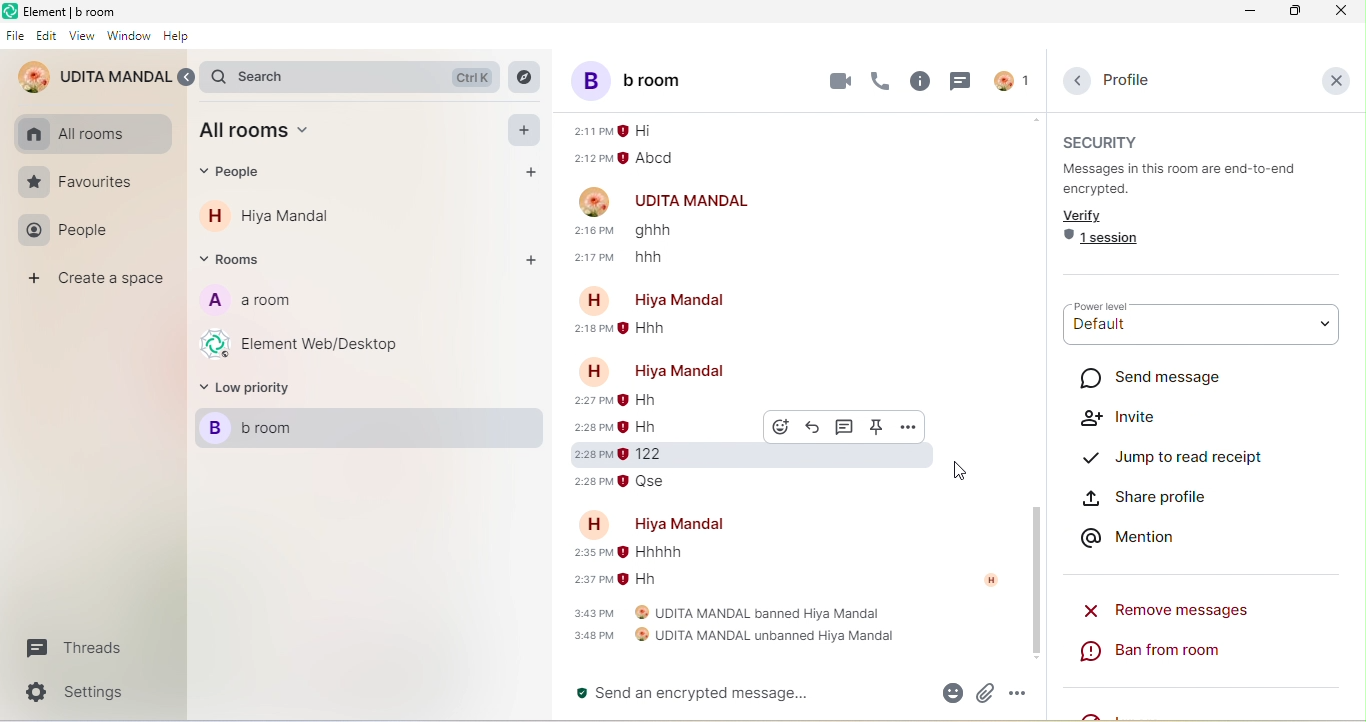 The height and width of the screenshot is (722, 1366). I want to click on a room, so click(247, 303).